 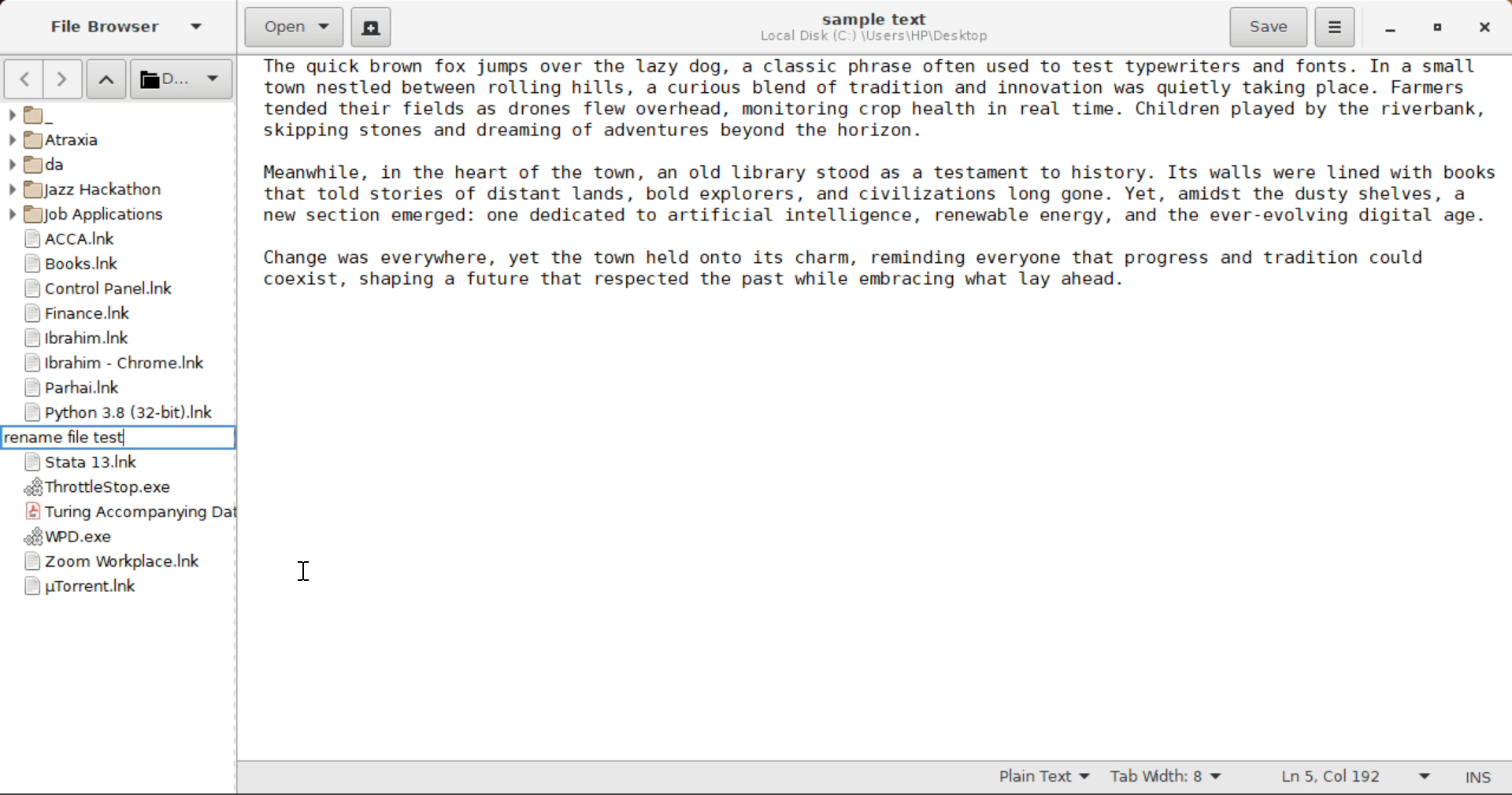 What do you see at coordinates (1388, 30) in the screenshot?
I see `Restore Down` at bounding box center [1388, 30].